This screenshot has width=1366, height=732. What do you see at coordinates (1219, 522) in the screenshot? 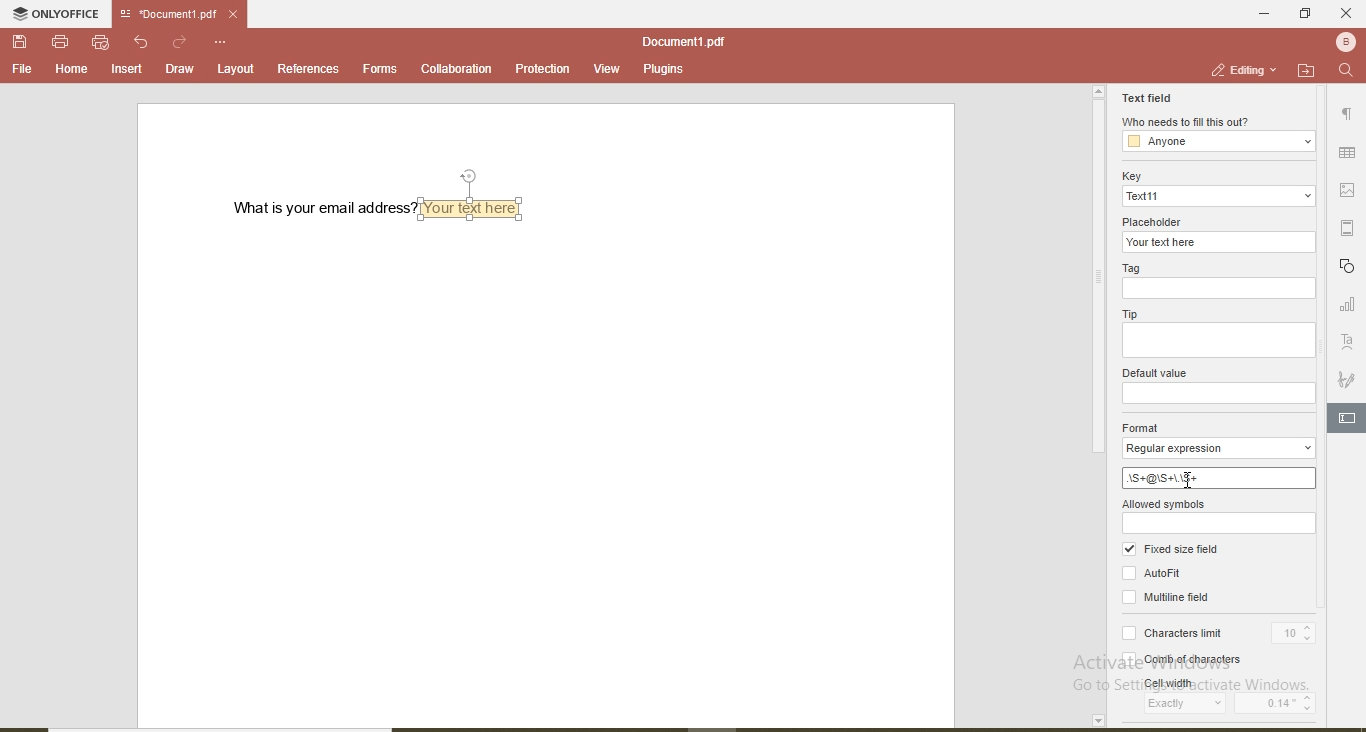
I see `allowed symbols input` at bounding box center [1219, 522].